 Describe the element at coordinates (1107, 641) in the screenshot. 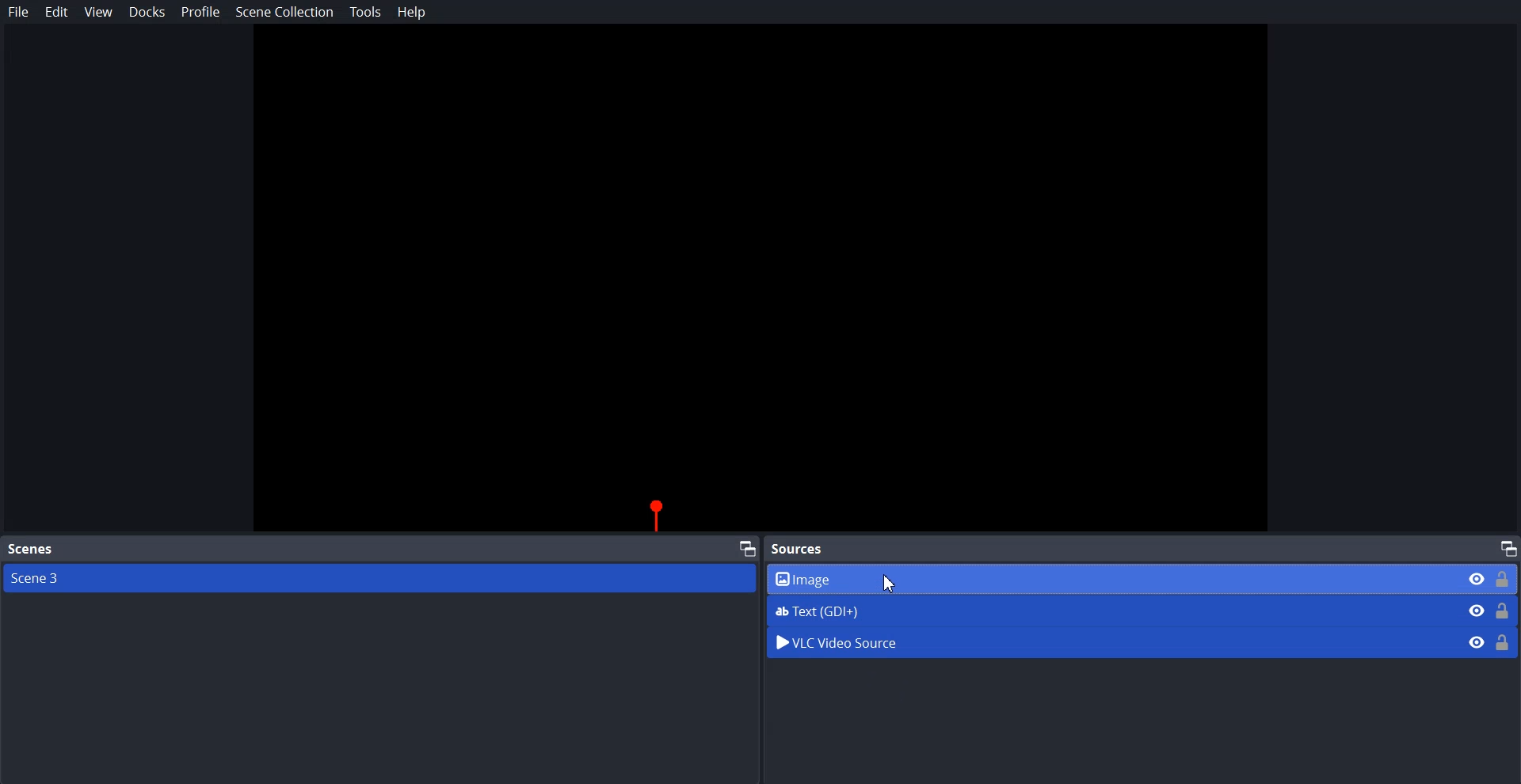

I see `VLC Video Source` at that location.